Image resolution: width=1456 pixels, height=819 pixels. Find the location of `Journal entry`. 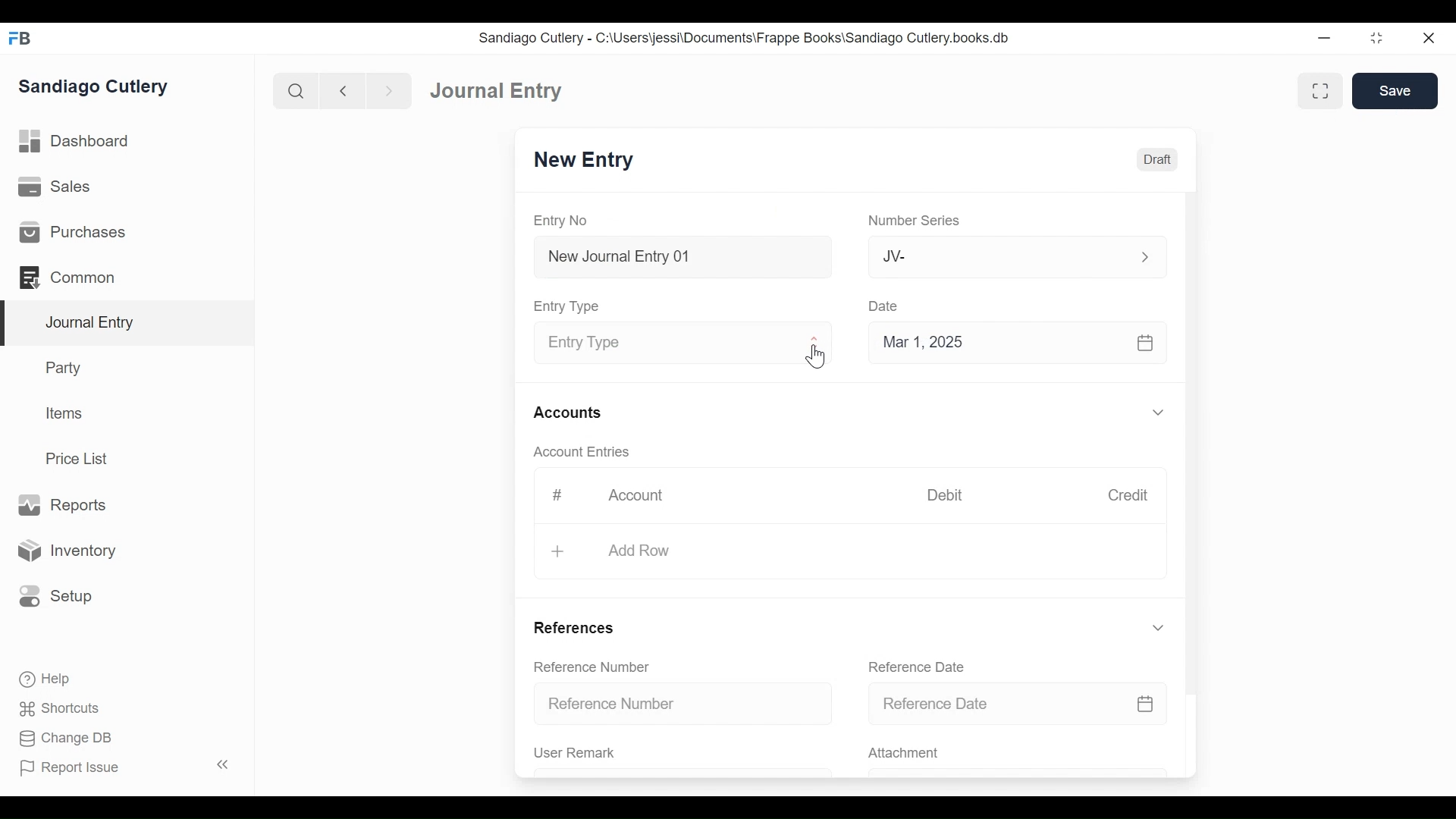

Journal entry is located at coordinates (491, 89).